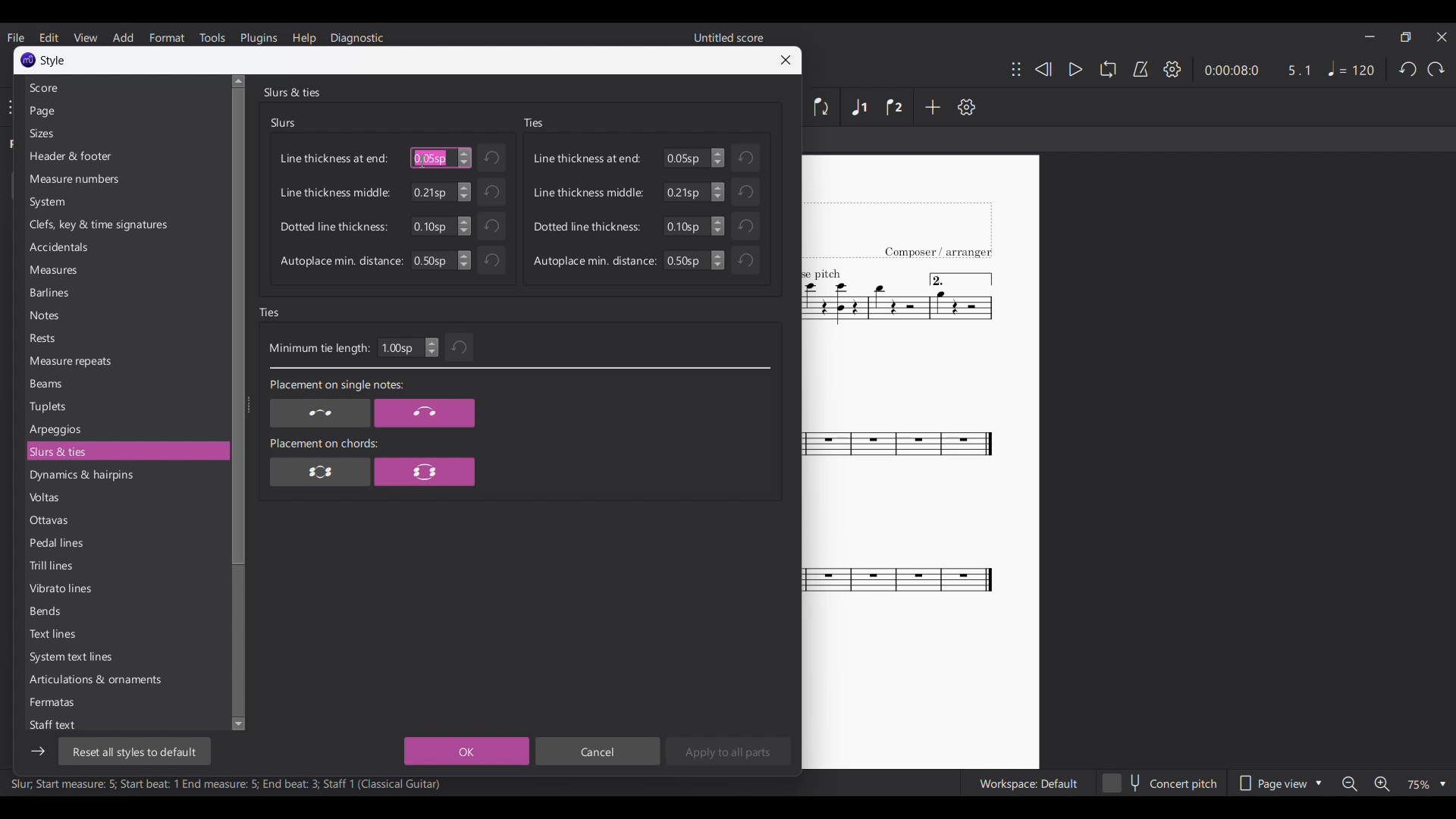  What do you see at coordinates (894, 107) in the screenshot?
I see `Voice 2` at bounding box center [894, 107].